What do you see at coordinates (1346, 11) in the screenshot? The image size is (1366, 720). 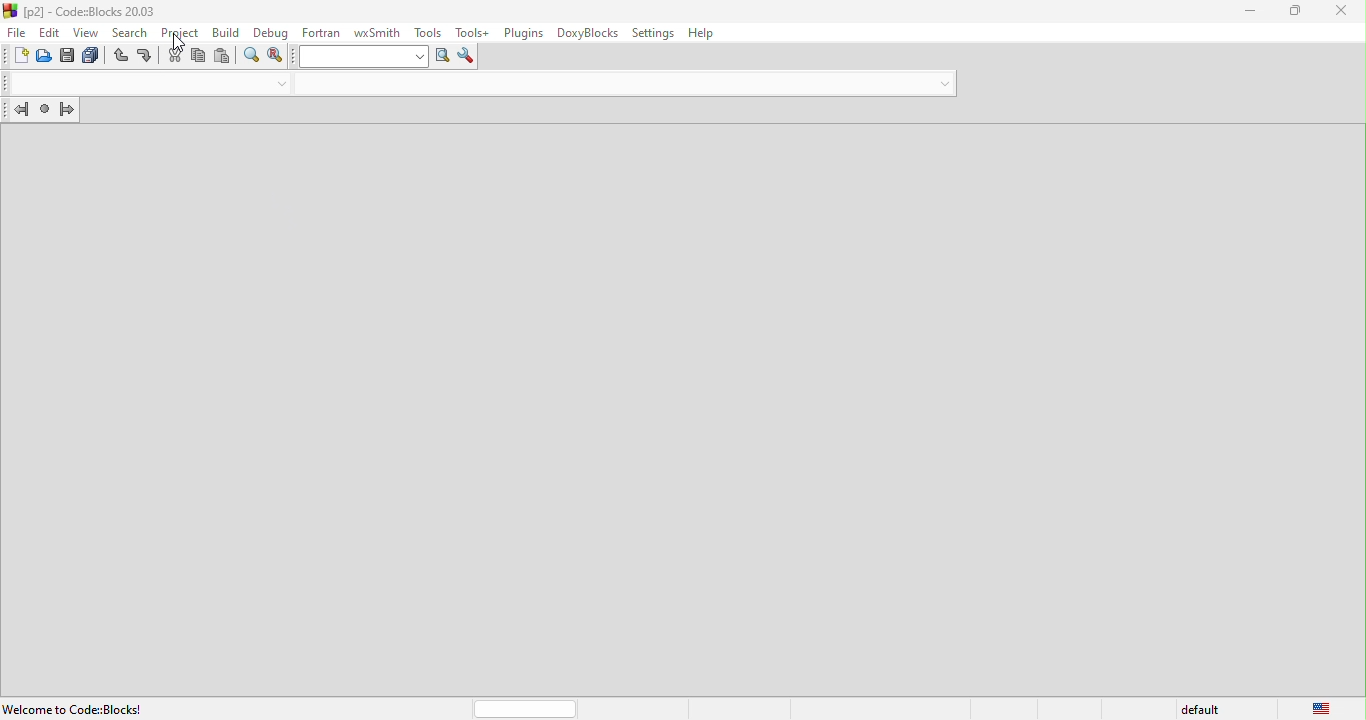 I see `close` at bounding box center [1346, 11].